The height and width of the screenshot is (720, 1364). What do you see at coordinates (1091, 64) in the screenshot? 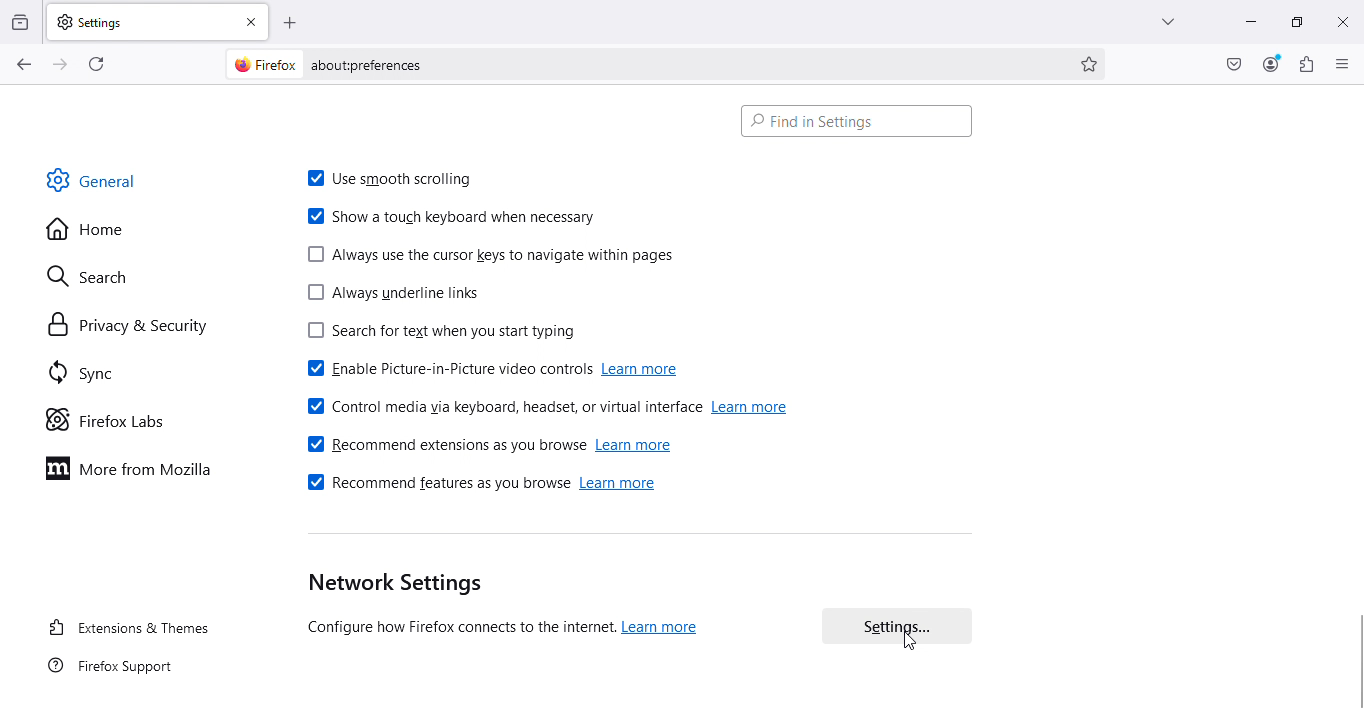
I see `Bookmark` at bounding box center [1091, 64].